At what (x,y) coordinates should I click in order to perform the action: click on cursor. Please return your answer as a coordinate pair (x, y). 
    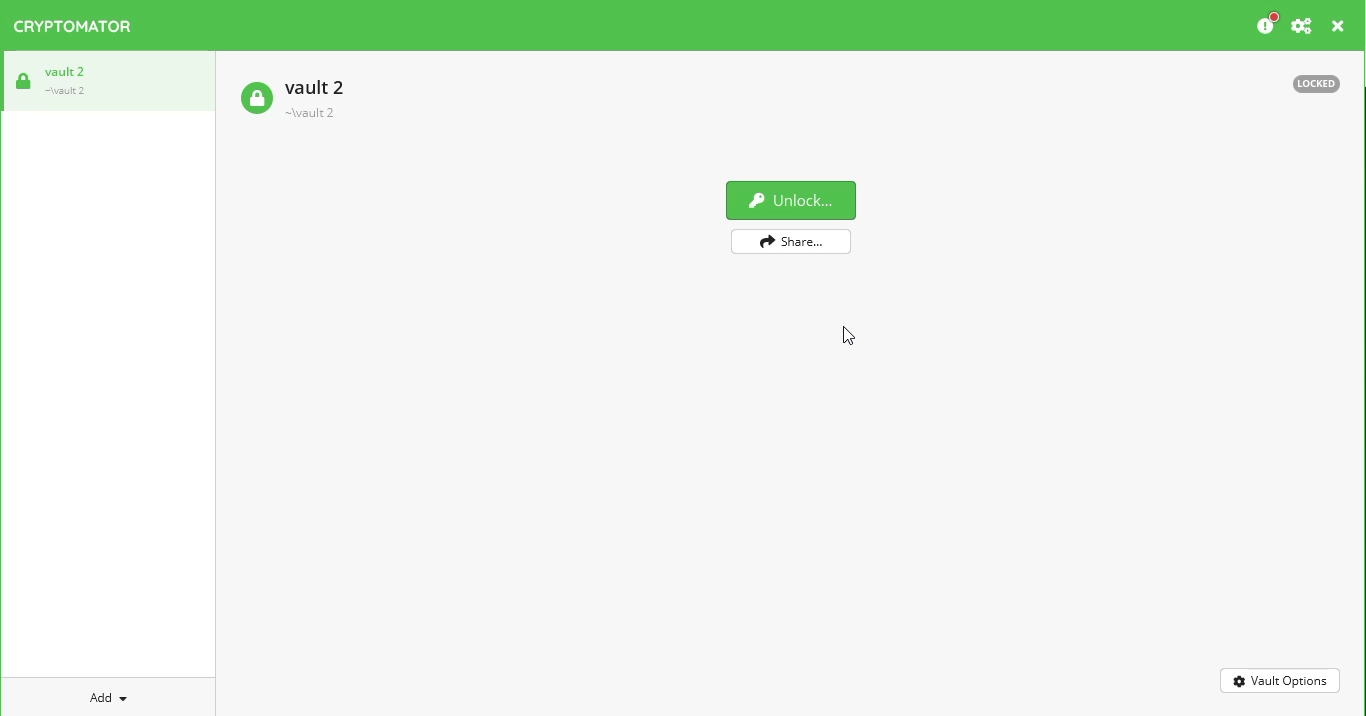
    Looking at the image, I should click on (848, 335).